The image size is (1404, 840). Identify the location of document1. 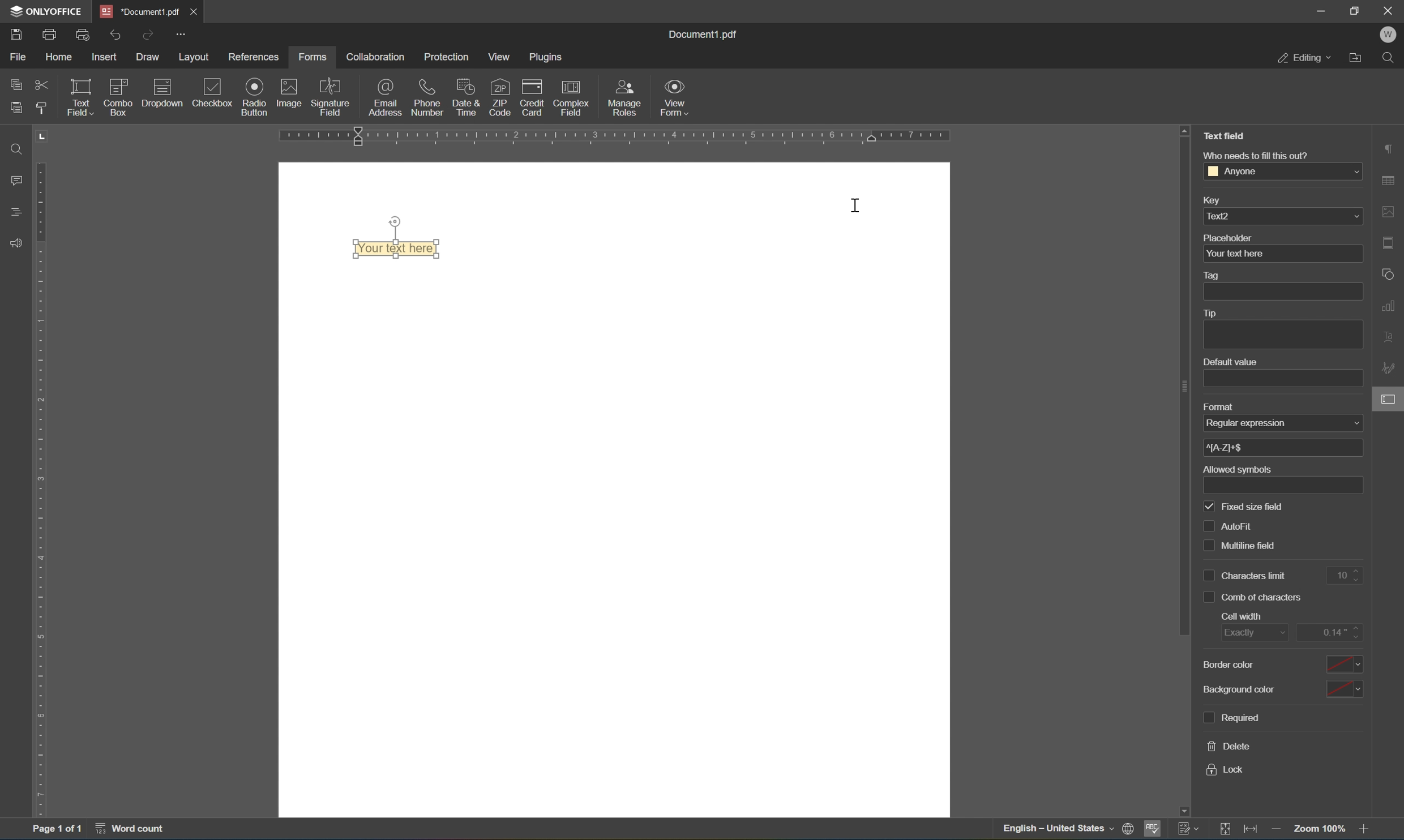
(137, 9).